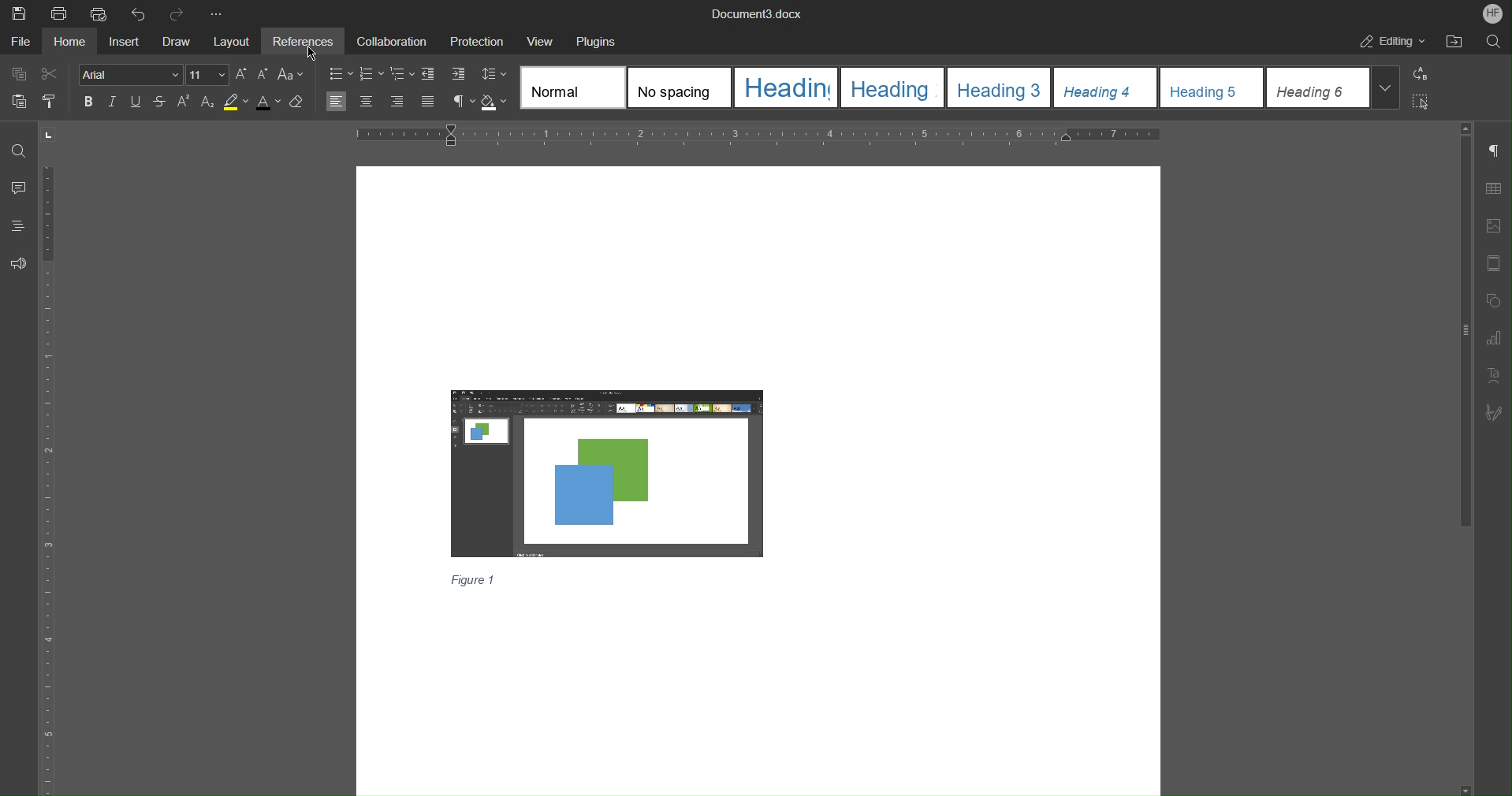  I want to click on Justify, so click(430, 103).